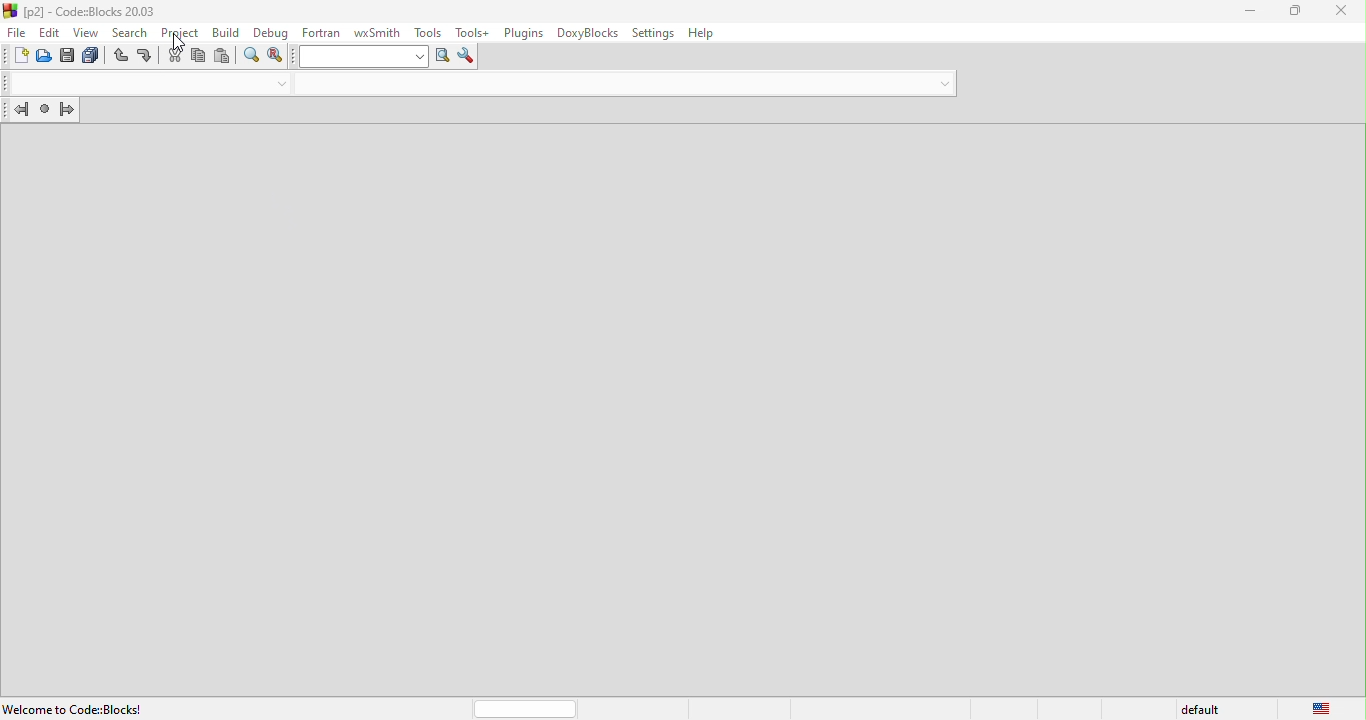 This screenshot has height=720, width=1366. I want to click on run search, so click(443, 58).